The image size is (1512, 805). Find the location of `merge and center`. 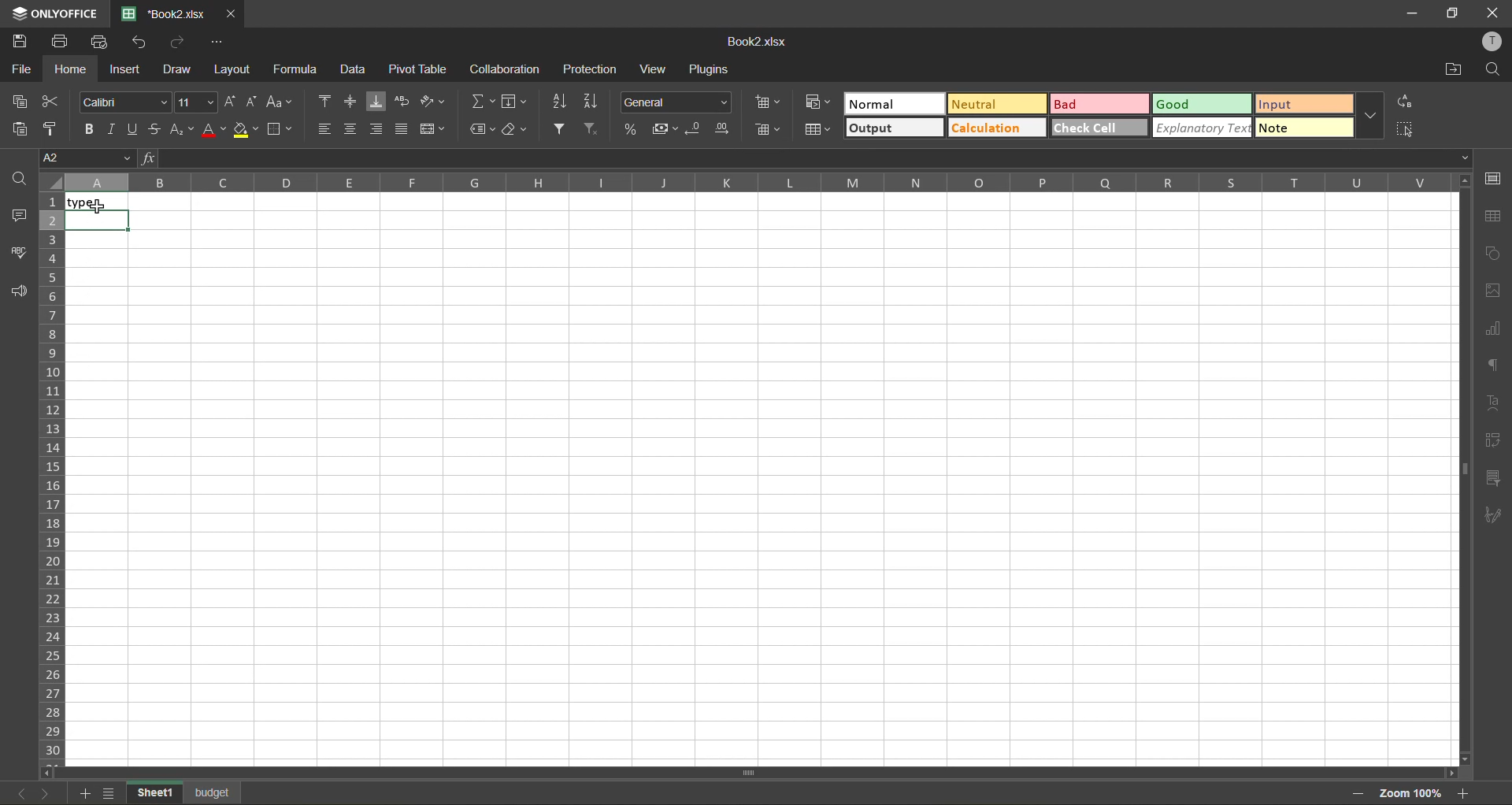

merge and center is located at coordinates (432, 128).